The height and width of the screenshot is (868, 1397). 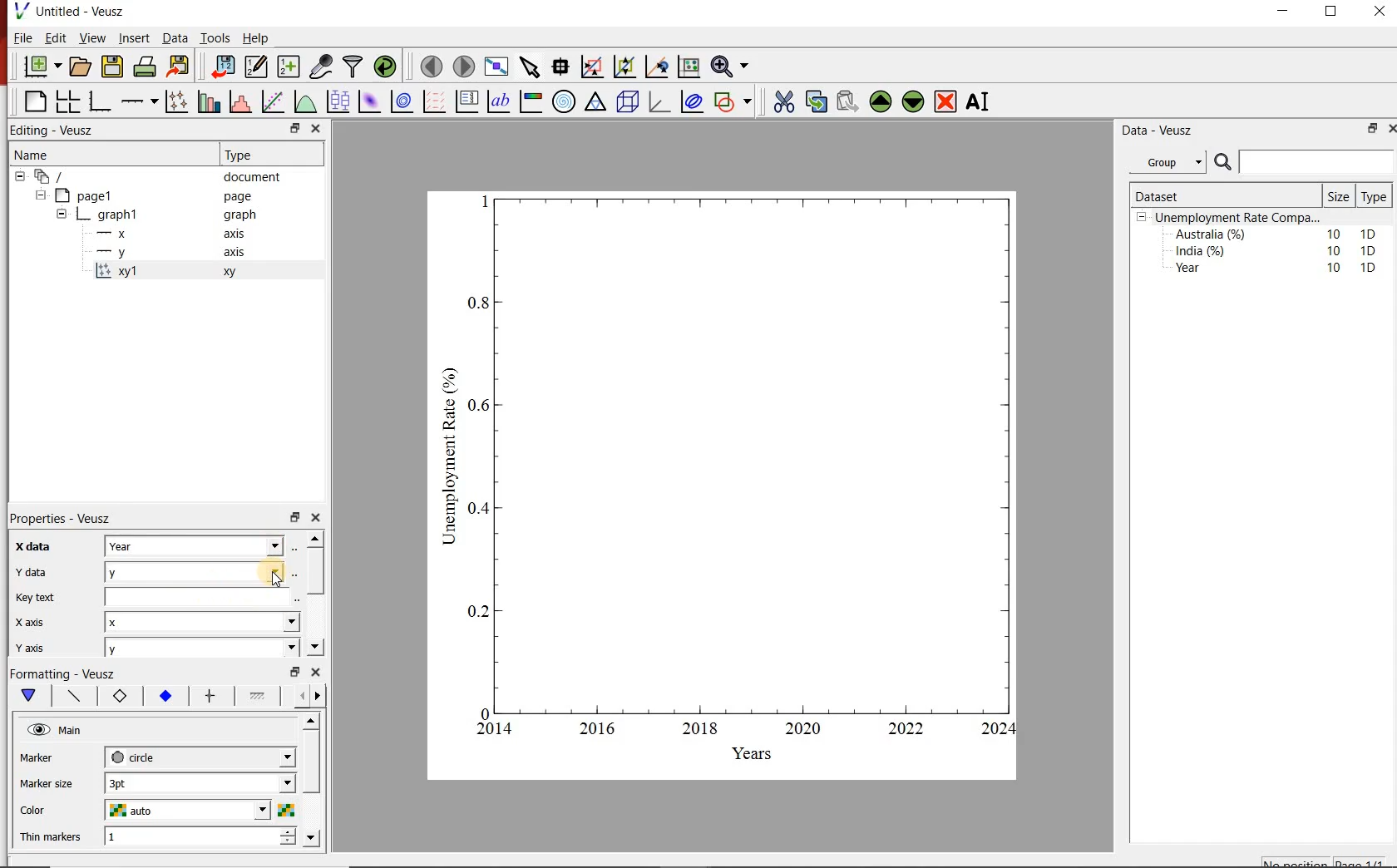 I want to click on scroll bar, so click(x=312, y=776).